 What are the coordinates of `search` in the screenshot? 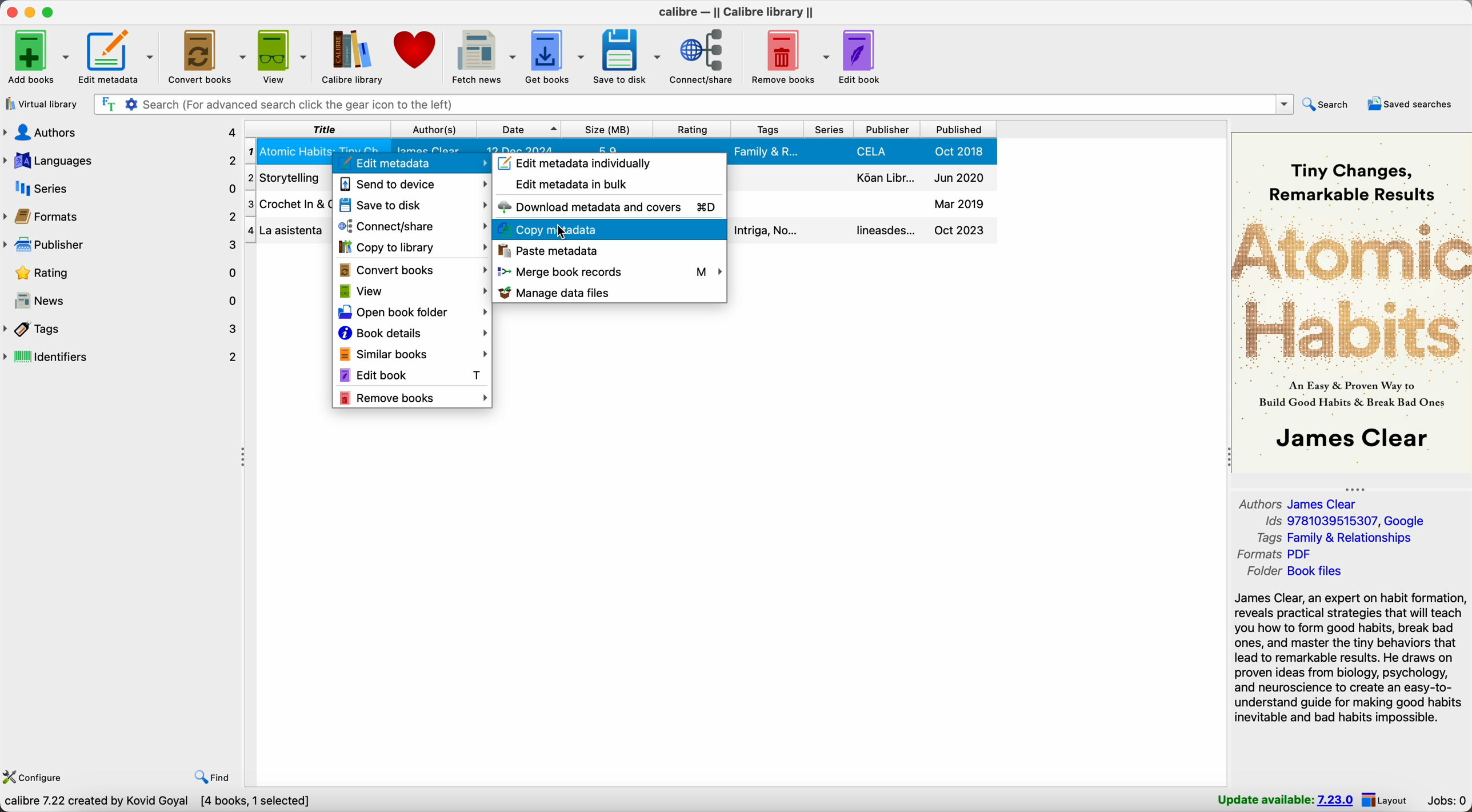 It's located at (1327, 105).